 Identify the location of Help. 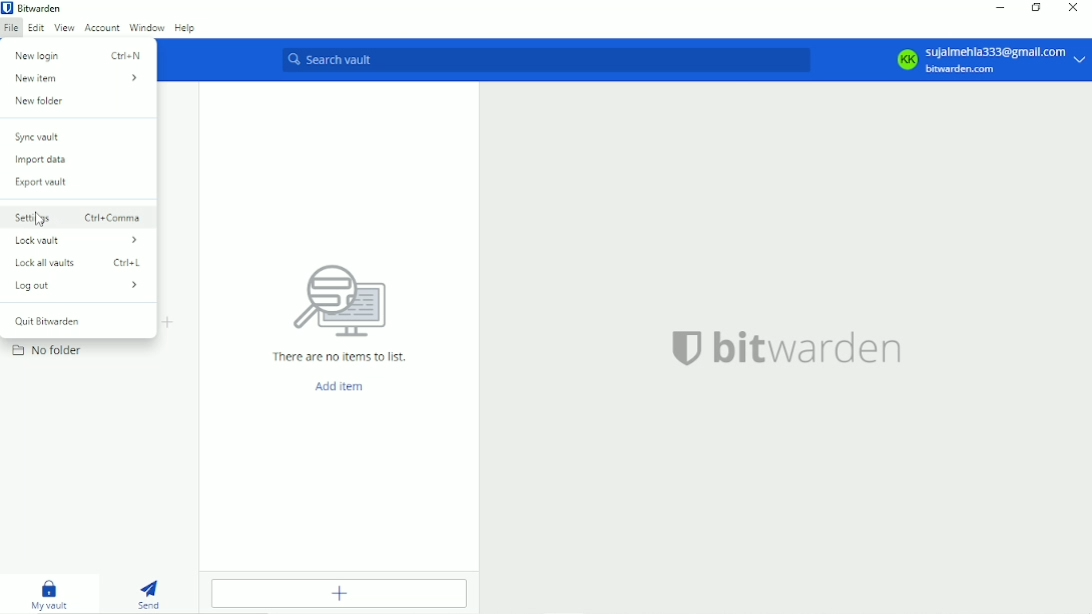
(186, 28).